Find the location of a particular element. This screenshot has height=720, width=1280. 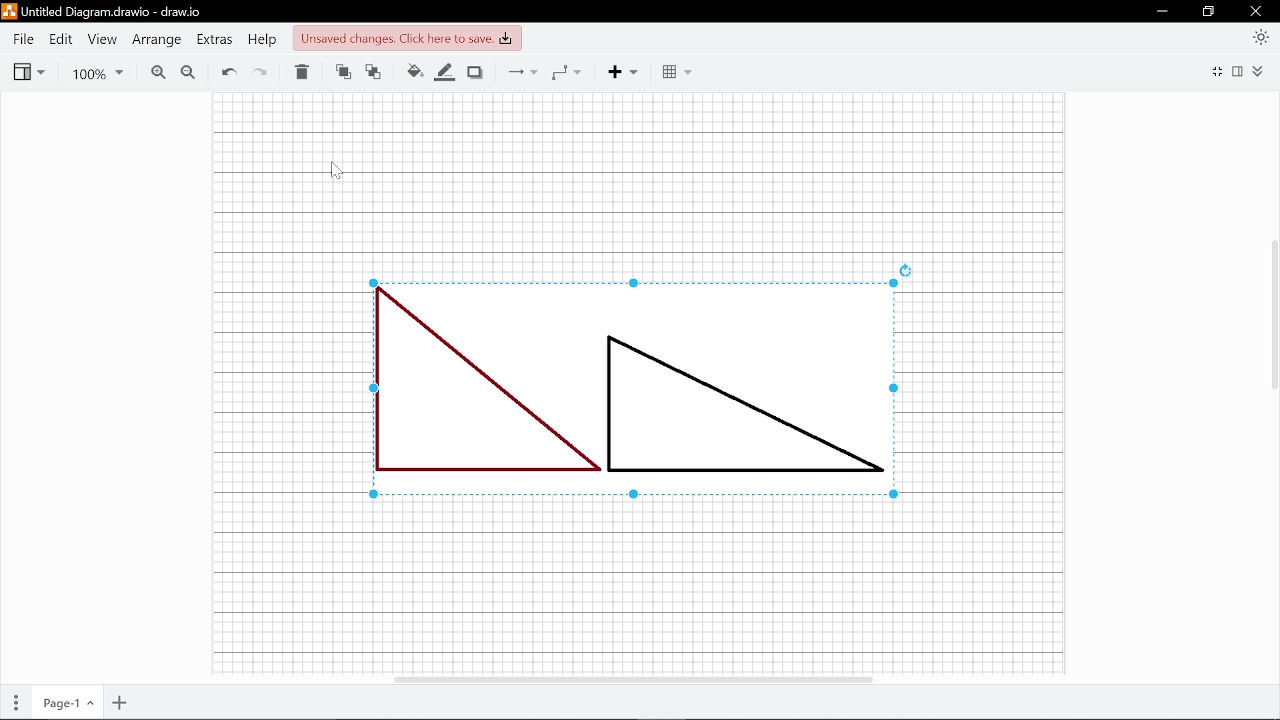

To back is located at coordinates (376, 71).